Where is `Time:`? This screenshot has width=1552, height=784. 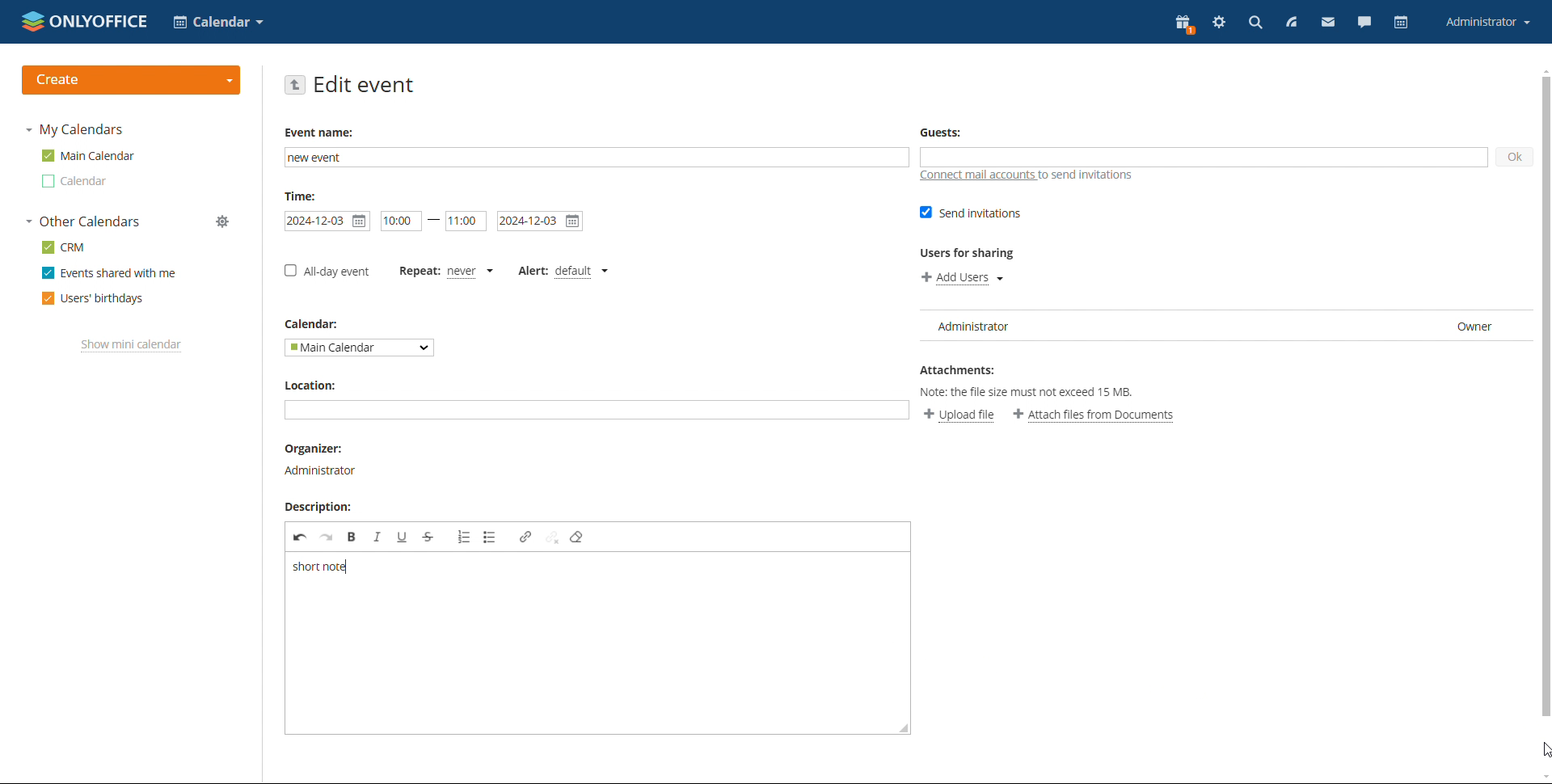
Time: is located at coordinates (303, 196).